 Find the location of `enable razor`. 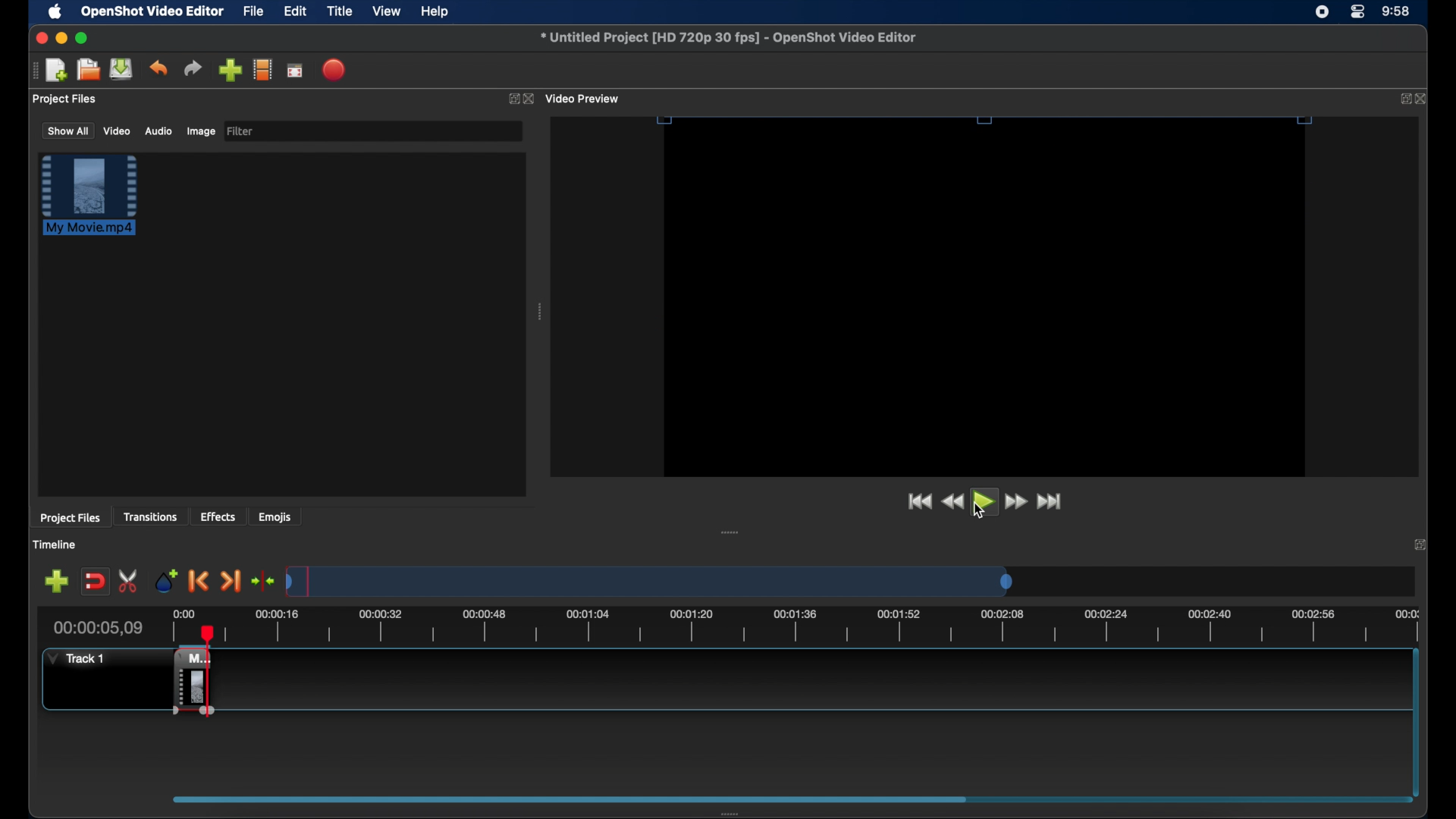

enable razor is located at coordinates (129, 582).